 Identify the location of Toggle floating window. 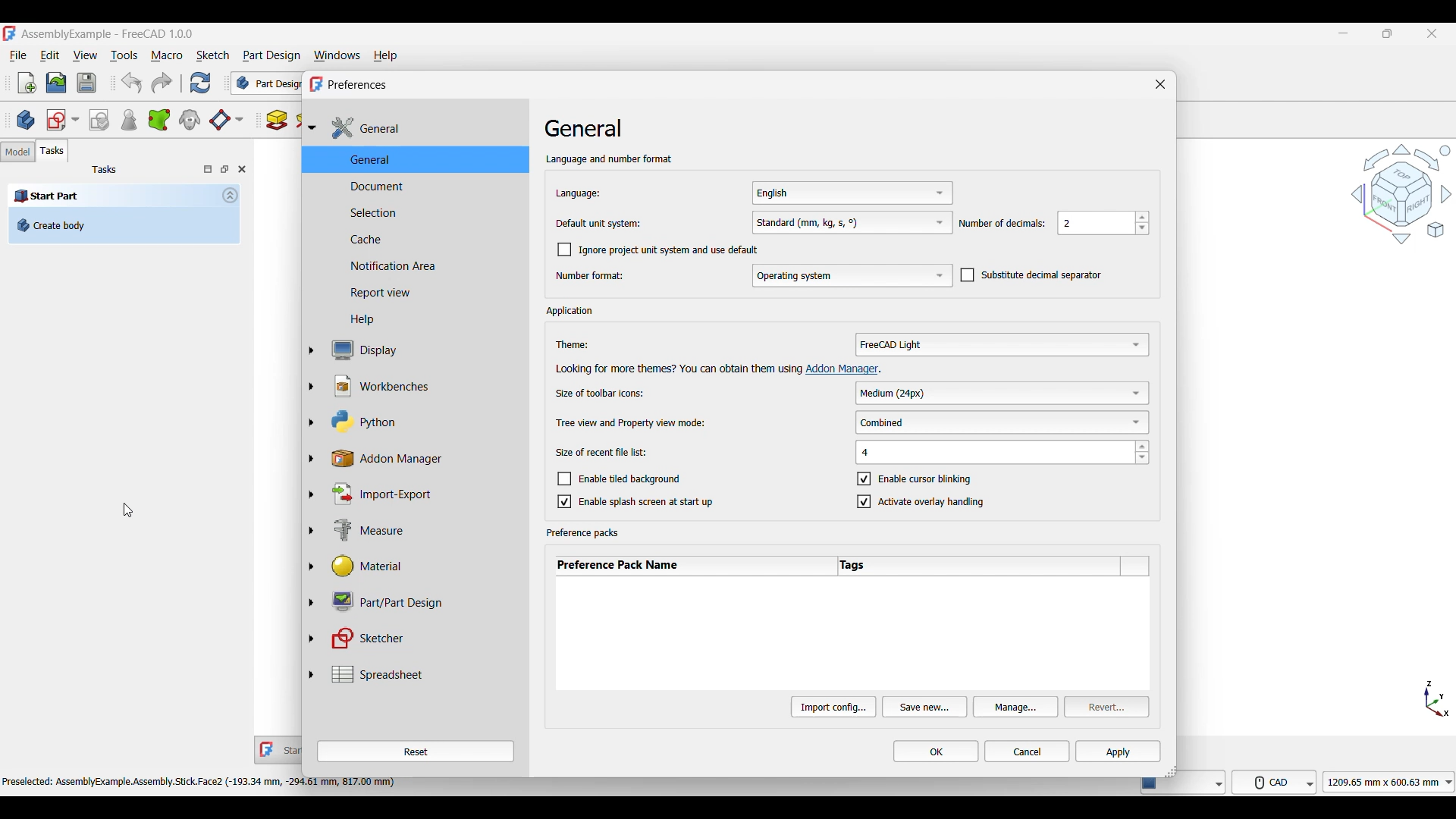
(224, 169).